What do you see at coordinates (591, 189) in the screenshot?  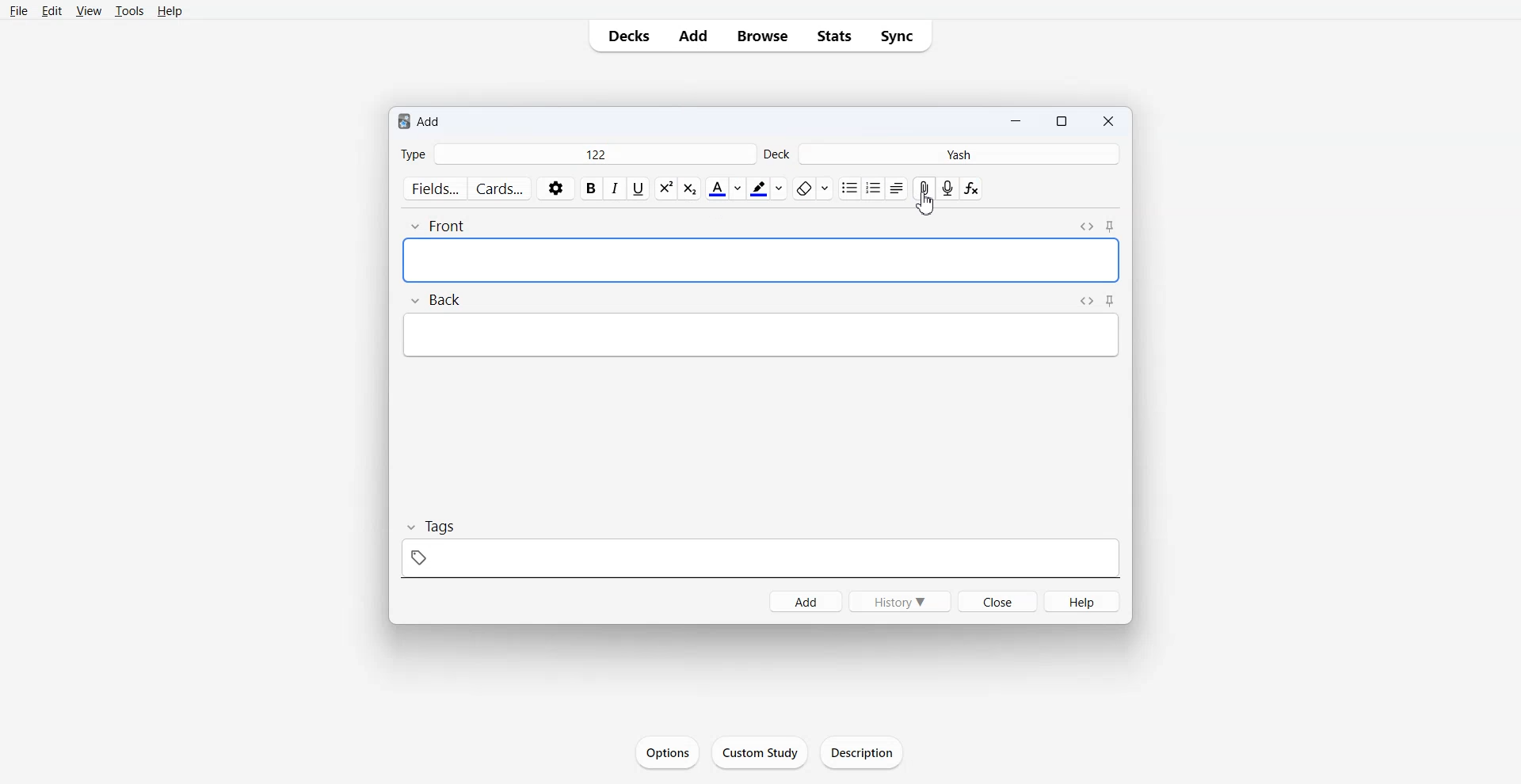 I see `bold` at bounding box center [591, 189].